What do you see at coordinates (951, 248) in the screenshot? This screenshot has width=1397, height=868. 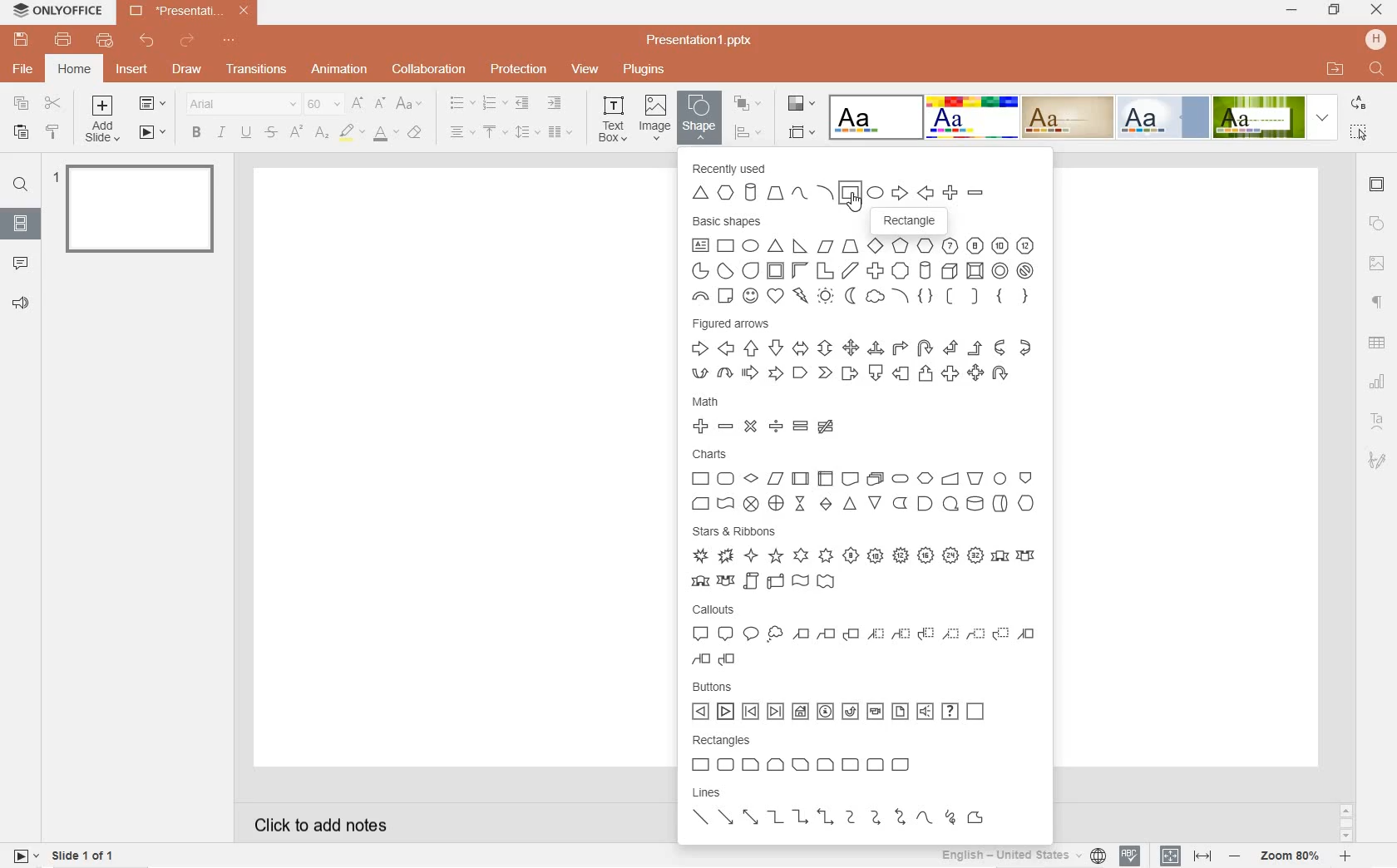 I see `Heptagon` at bounding box center [951, 248].